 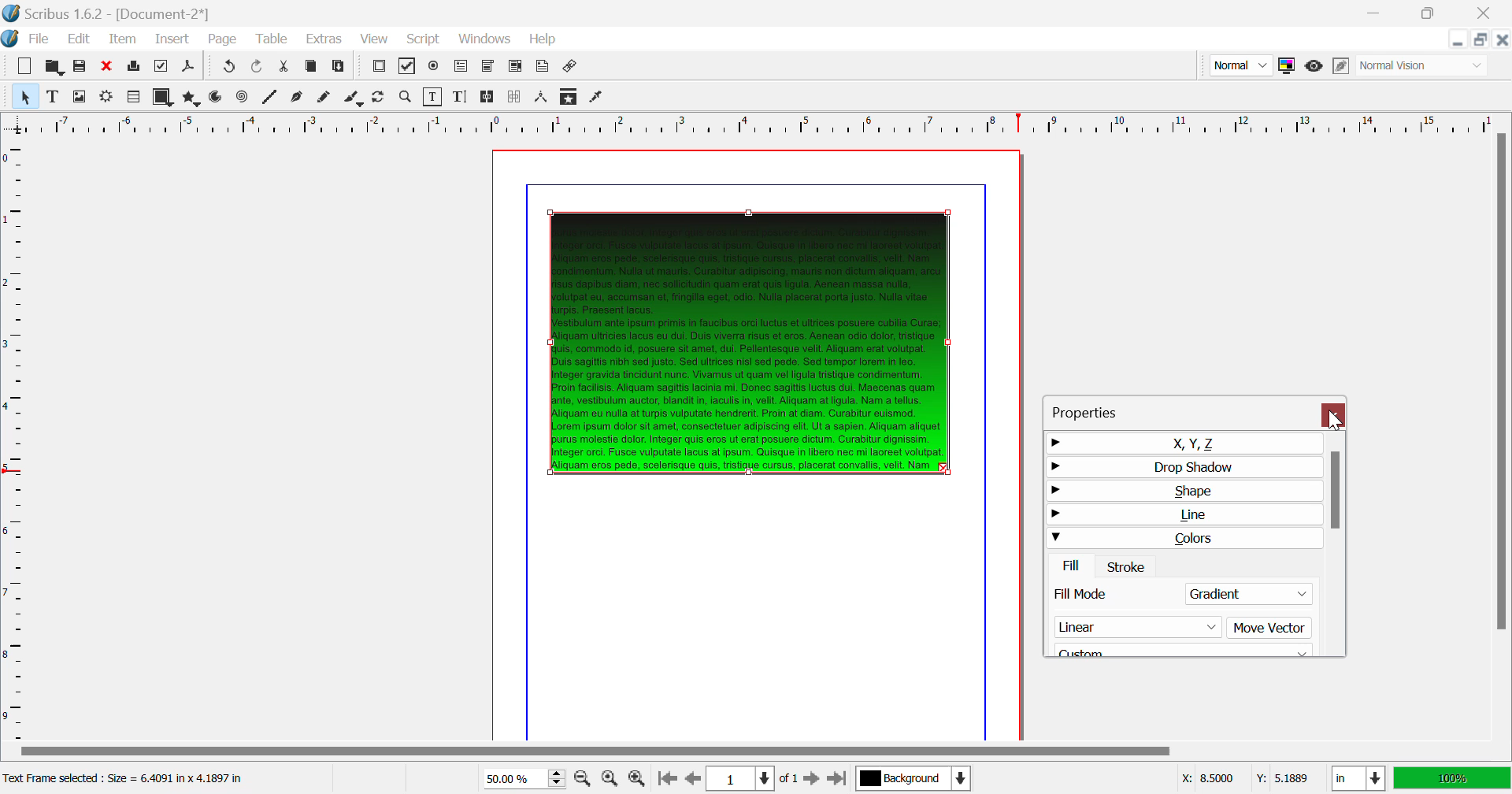 I want to click on Text Frame selected: Size = 6.4091 in x 4.1897 in, so click(x=127, y=779).